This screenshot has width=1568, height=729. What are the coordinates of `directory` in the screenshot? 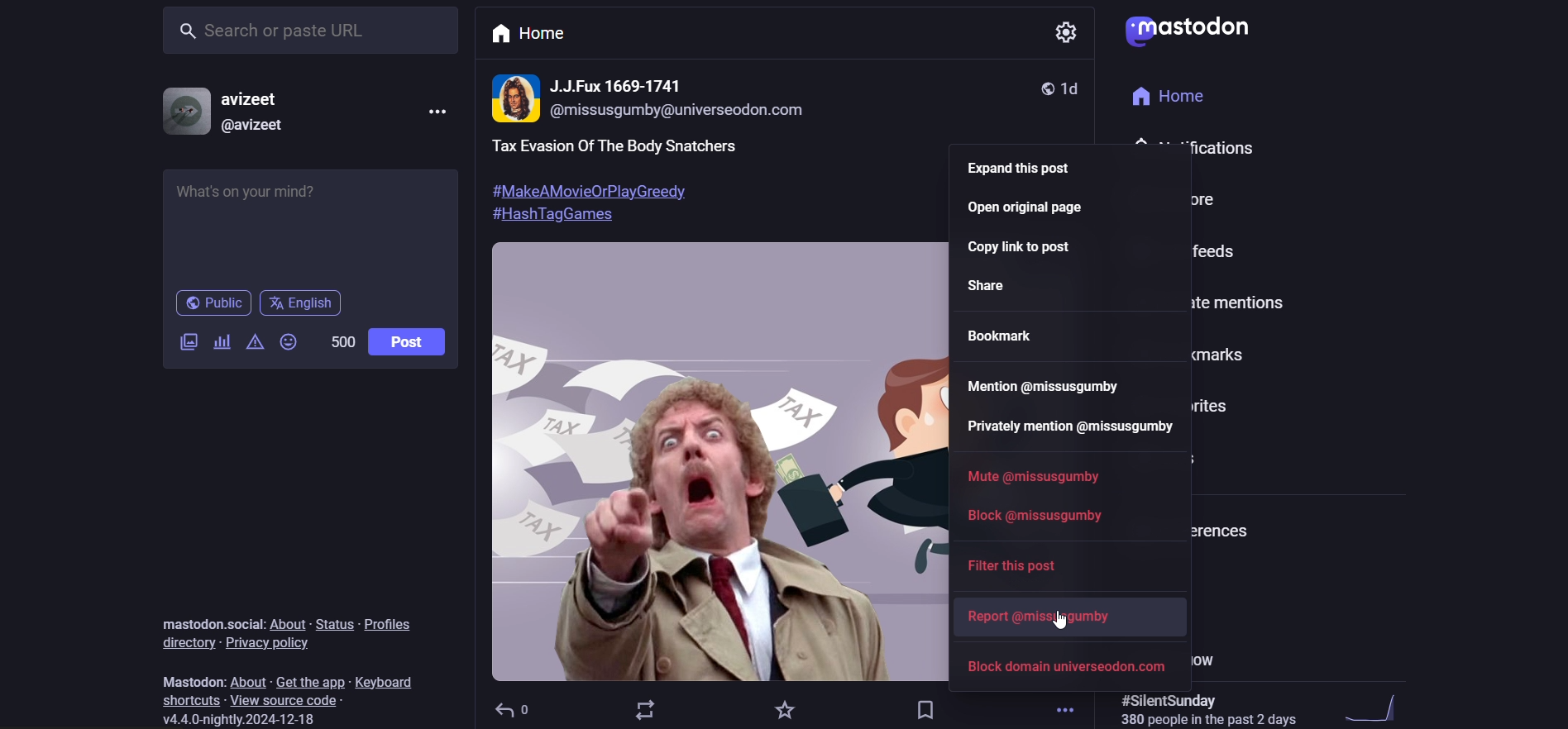 It's located at (185, 643).